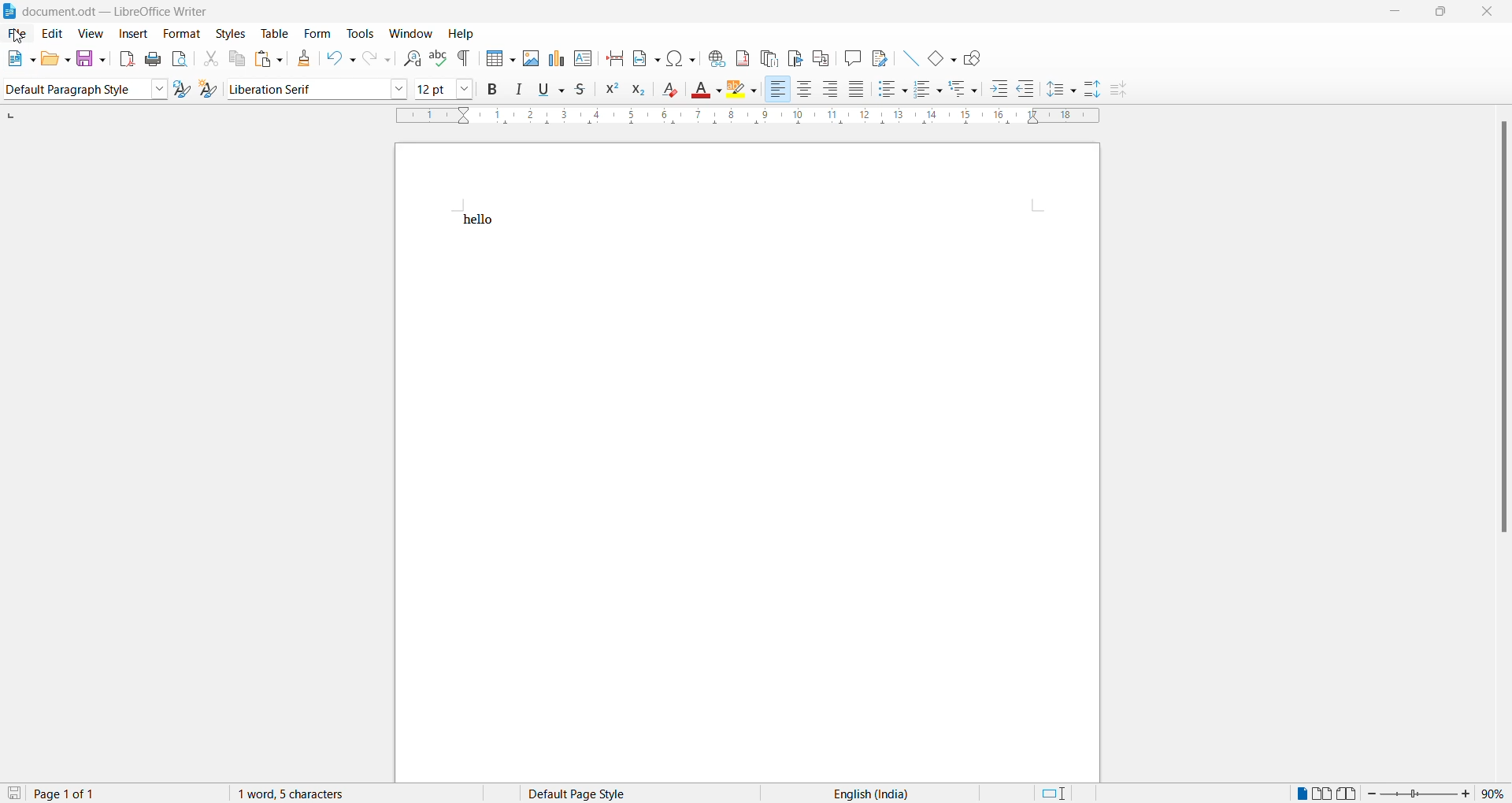 The width and height of the screenshot is (1512, 803). Describe the element at coordinates (609, 91) in the screenshot. I see `Superscript` at that location.